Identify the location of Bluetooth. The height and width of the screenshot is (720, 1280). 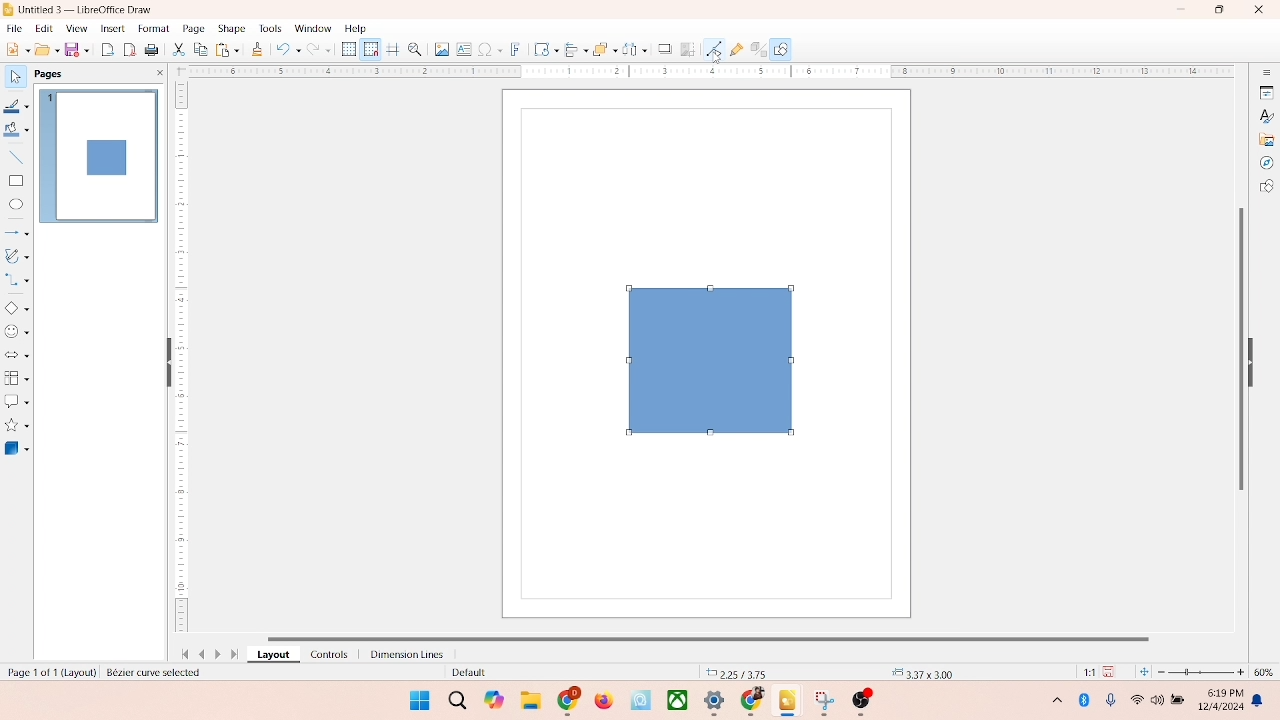
(1088, 700).